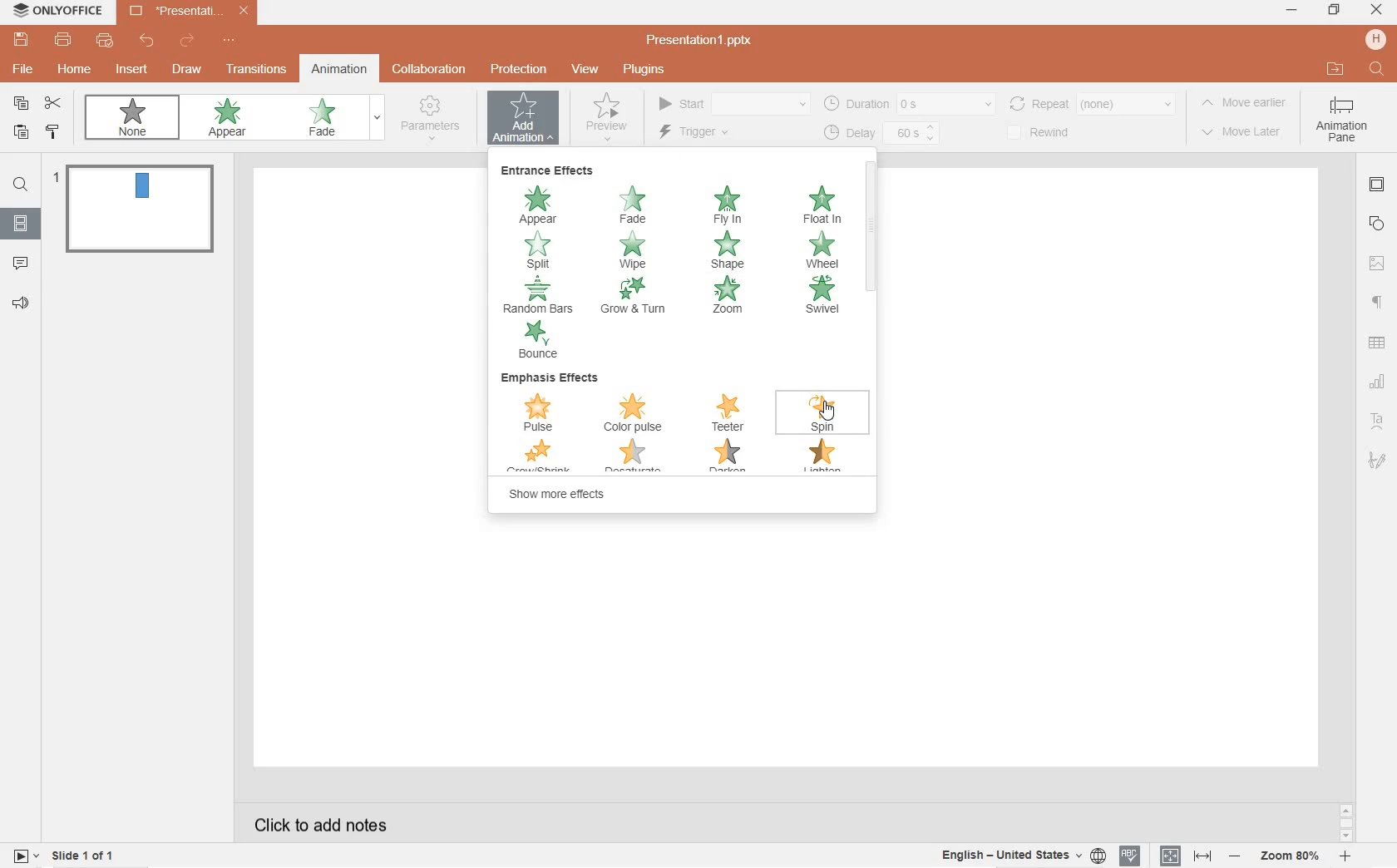 This screenshot has height=868, width=1397. What do you see at coordinates (1345, 822) in the screenshot?
I see `scrollbar` at bounding box center [1345, 822].